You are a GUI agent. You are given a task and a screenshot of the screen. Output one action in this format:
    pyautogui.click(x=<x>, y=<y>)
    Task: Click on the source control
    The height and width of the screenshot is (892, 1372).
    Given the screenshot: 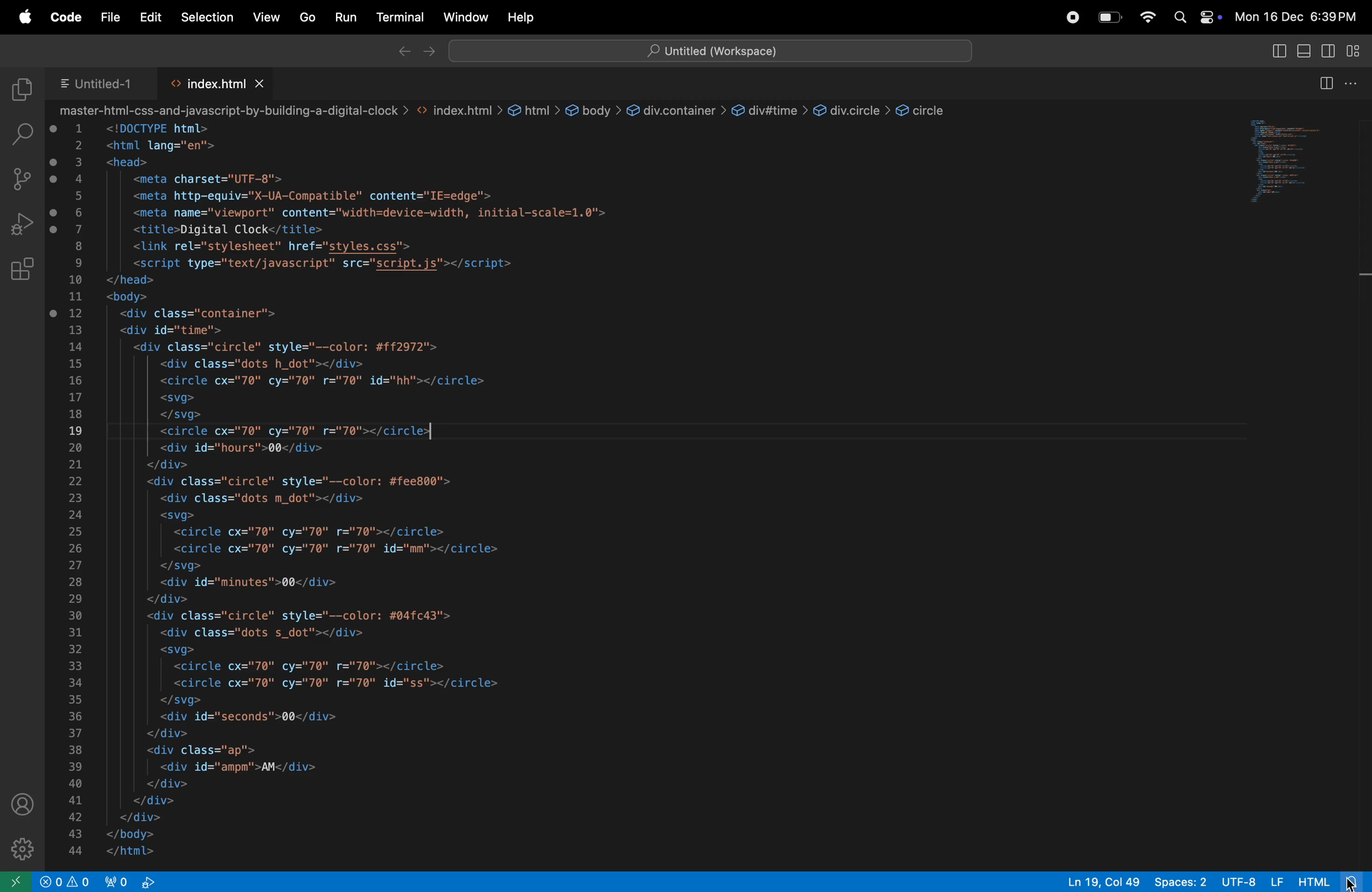 What is the action you would take?
    pyautogui.click(x=21, y=180)
    